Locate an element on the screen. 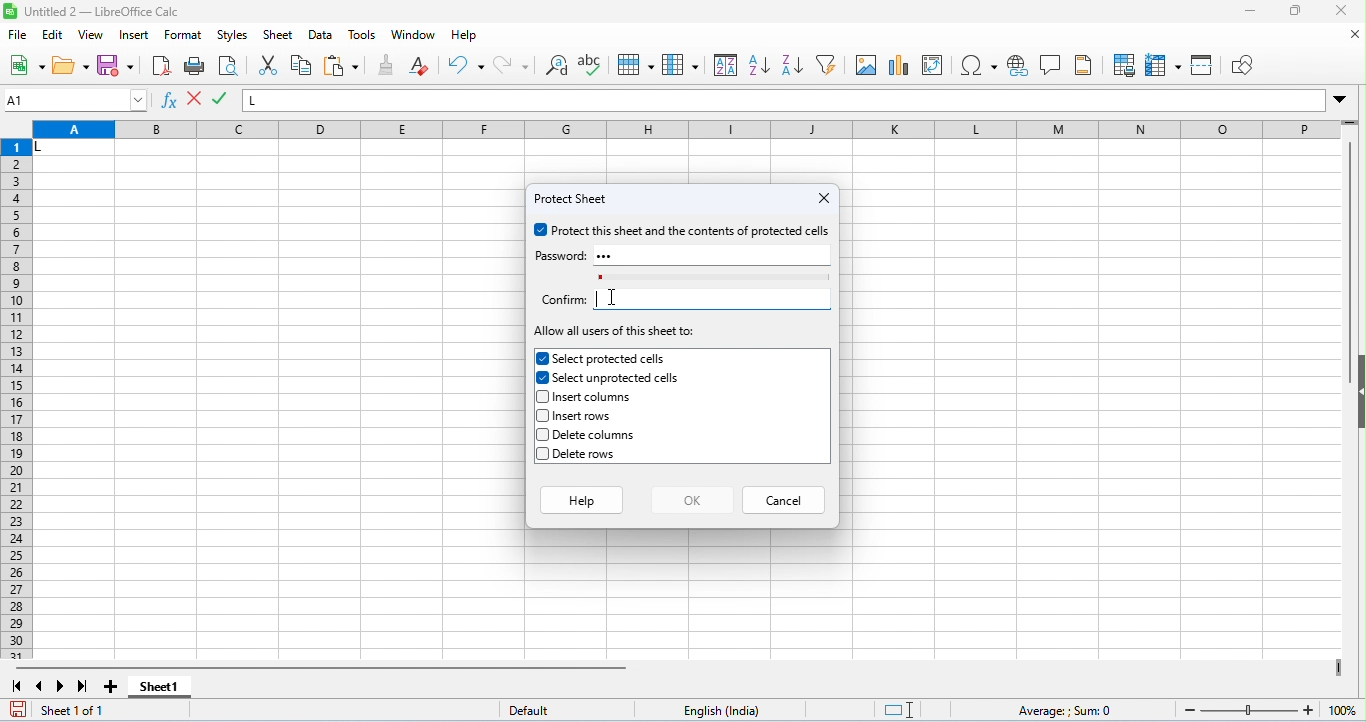 The width and height of the screenshot is (1366, 722). sheet 1 of 1 is located at coordinates (78, 711).